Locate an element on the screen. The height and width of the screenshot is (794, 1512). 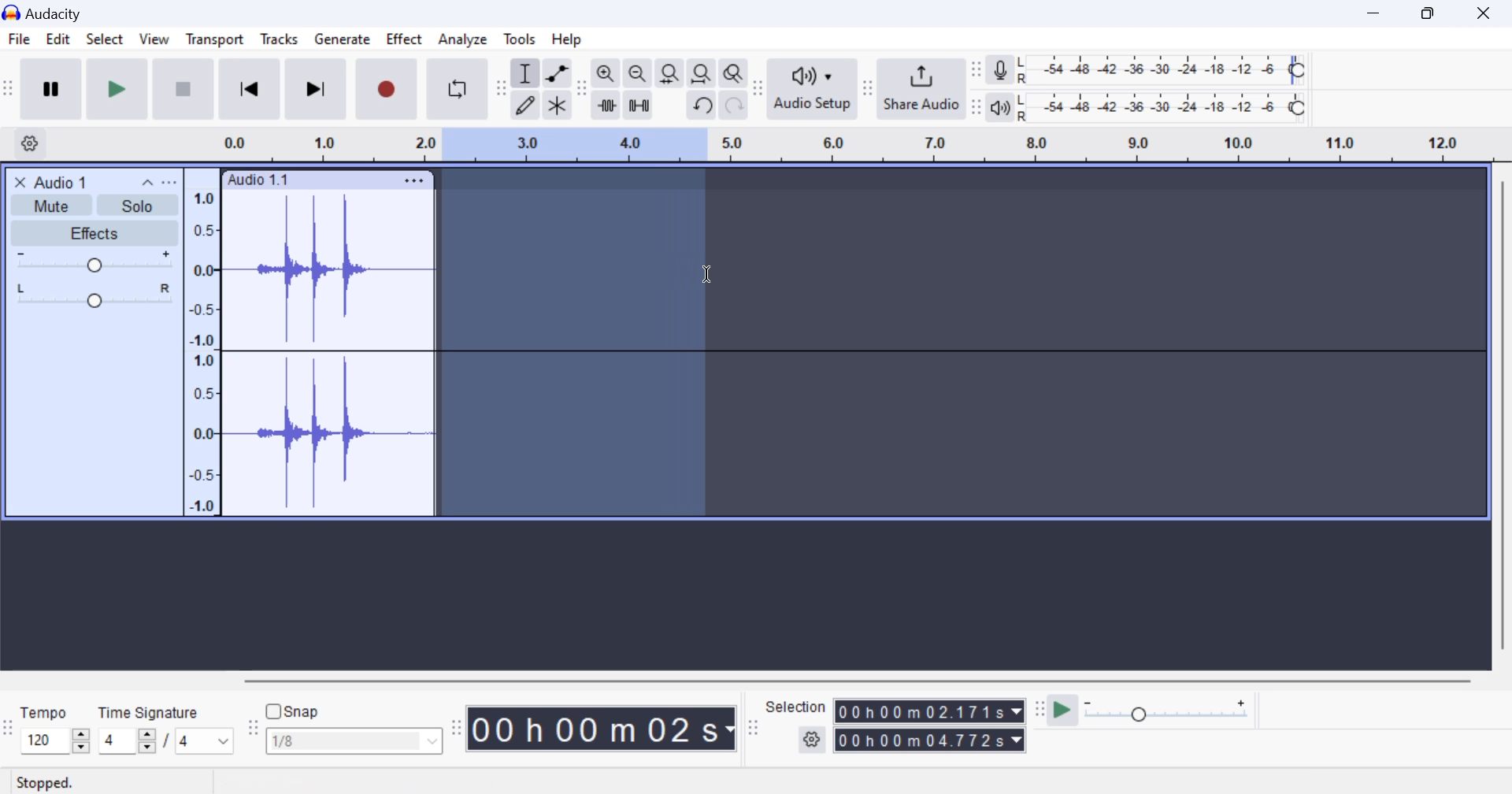
View is located at coordinates (153, 43).